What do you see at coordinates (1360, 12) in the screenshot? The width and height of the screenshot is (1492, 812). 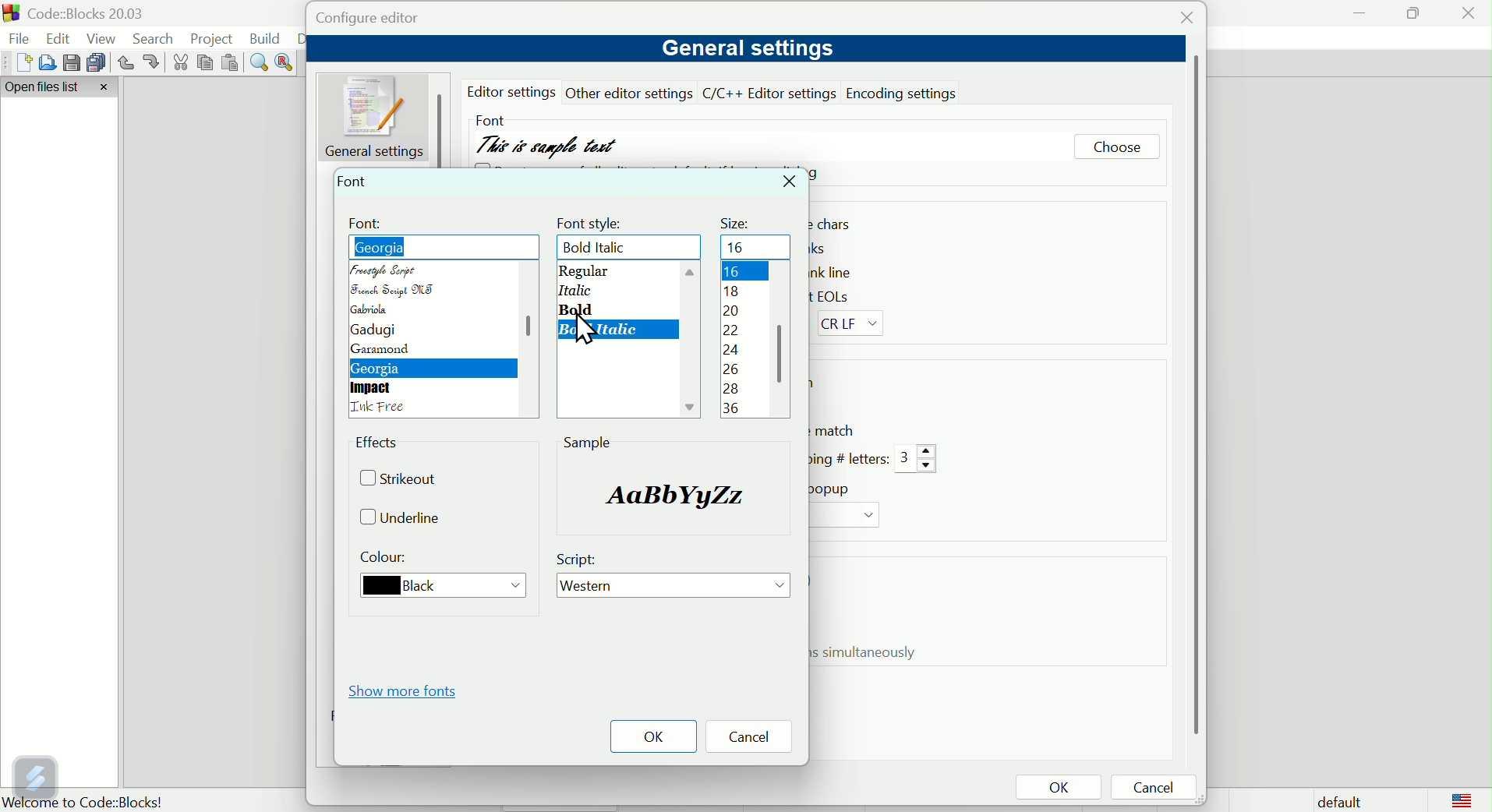 I see `minimise` at bounding box center [1360, 12].